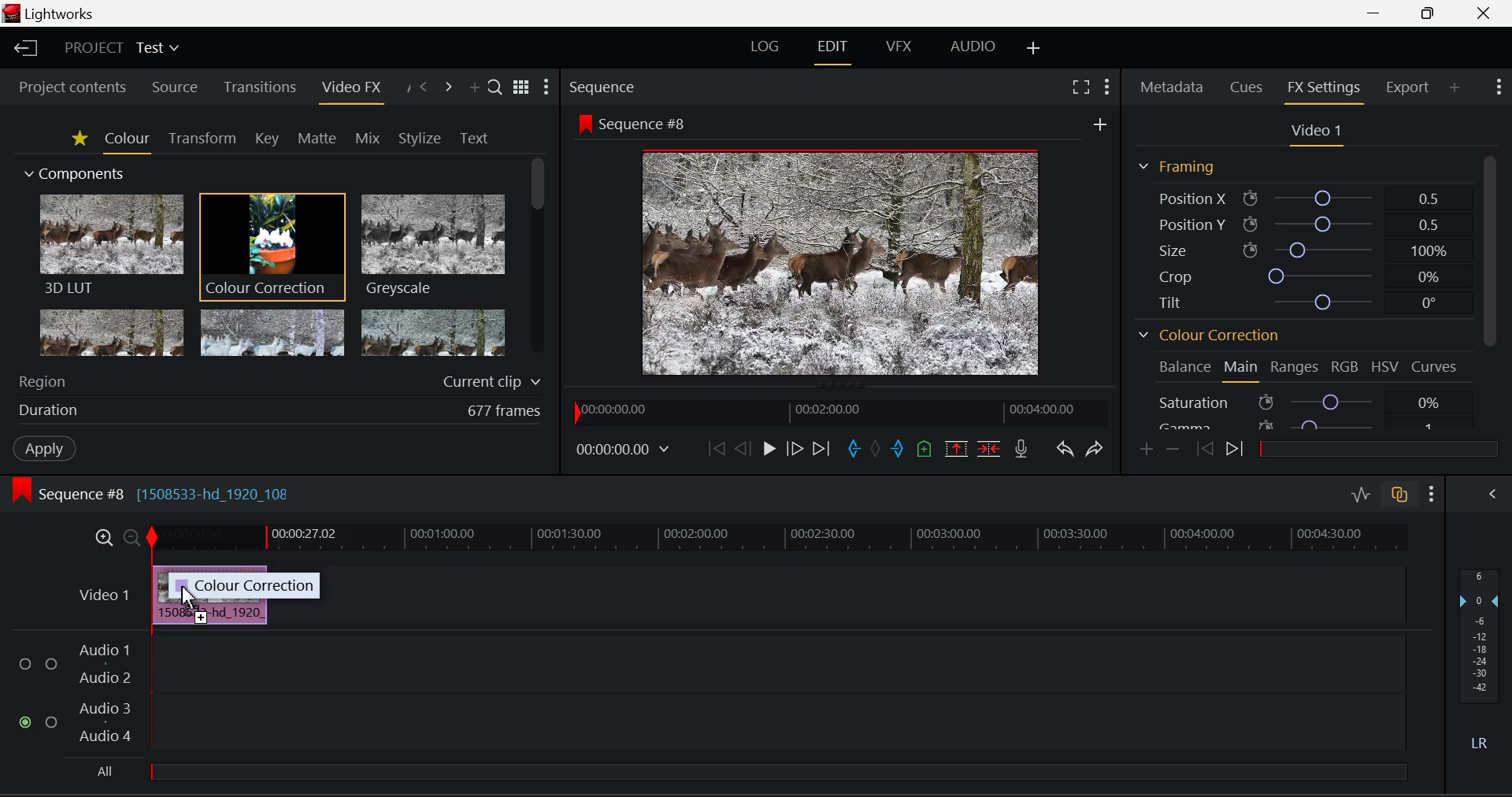 The width and height of the screenshot is (1512, 797). I want to click on Toggle between title and list view, so click(521, 85).